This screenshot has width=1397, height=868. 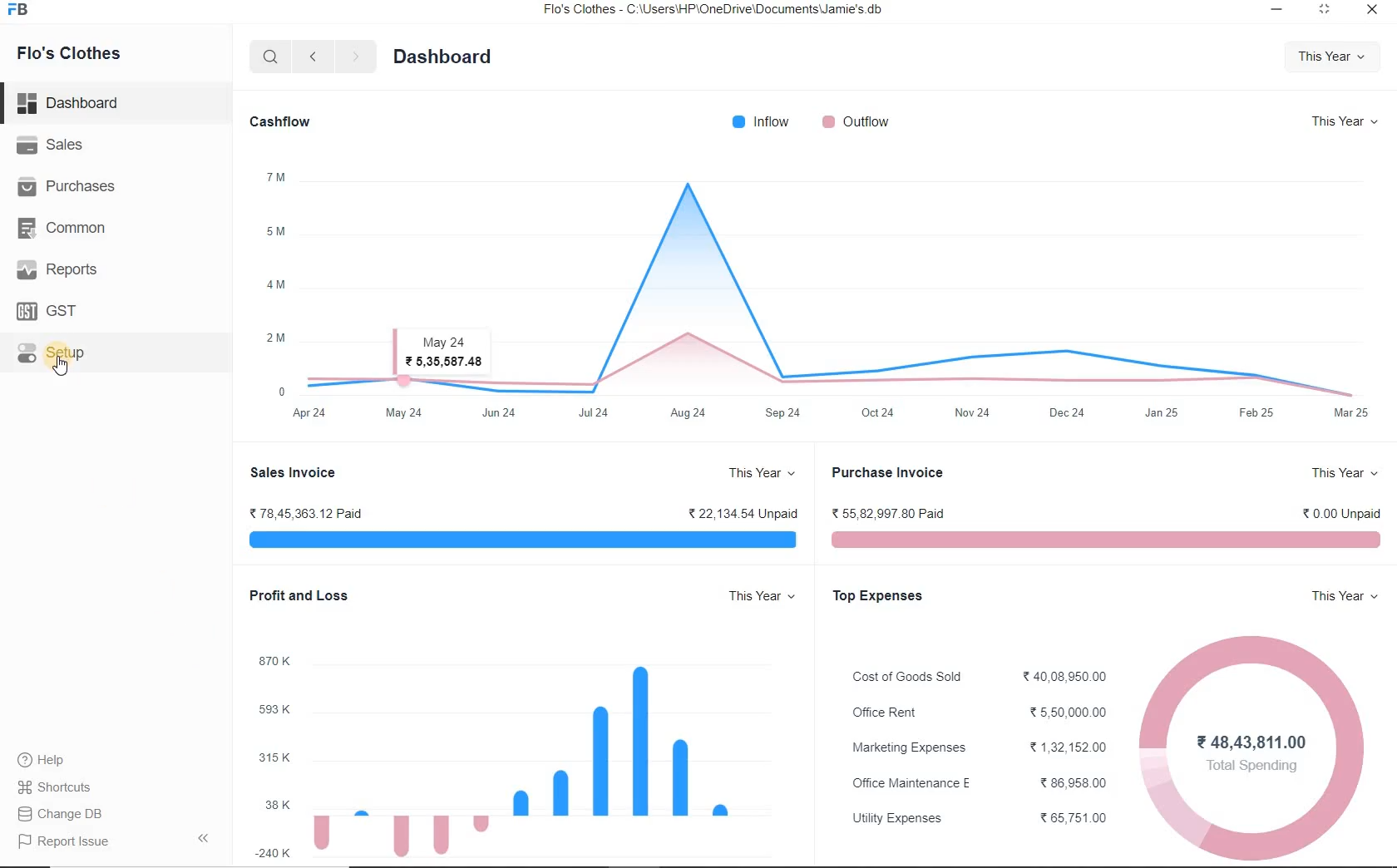 I want to click on frappe books logo, so click(x=22, y=11).